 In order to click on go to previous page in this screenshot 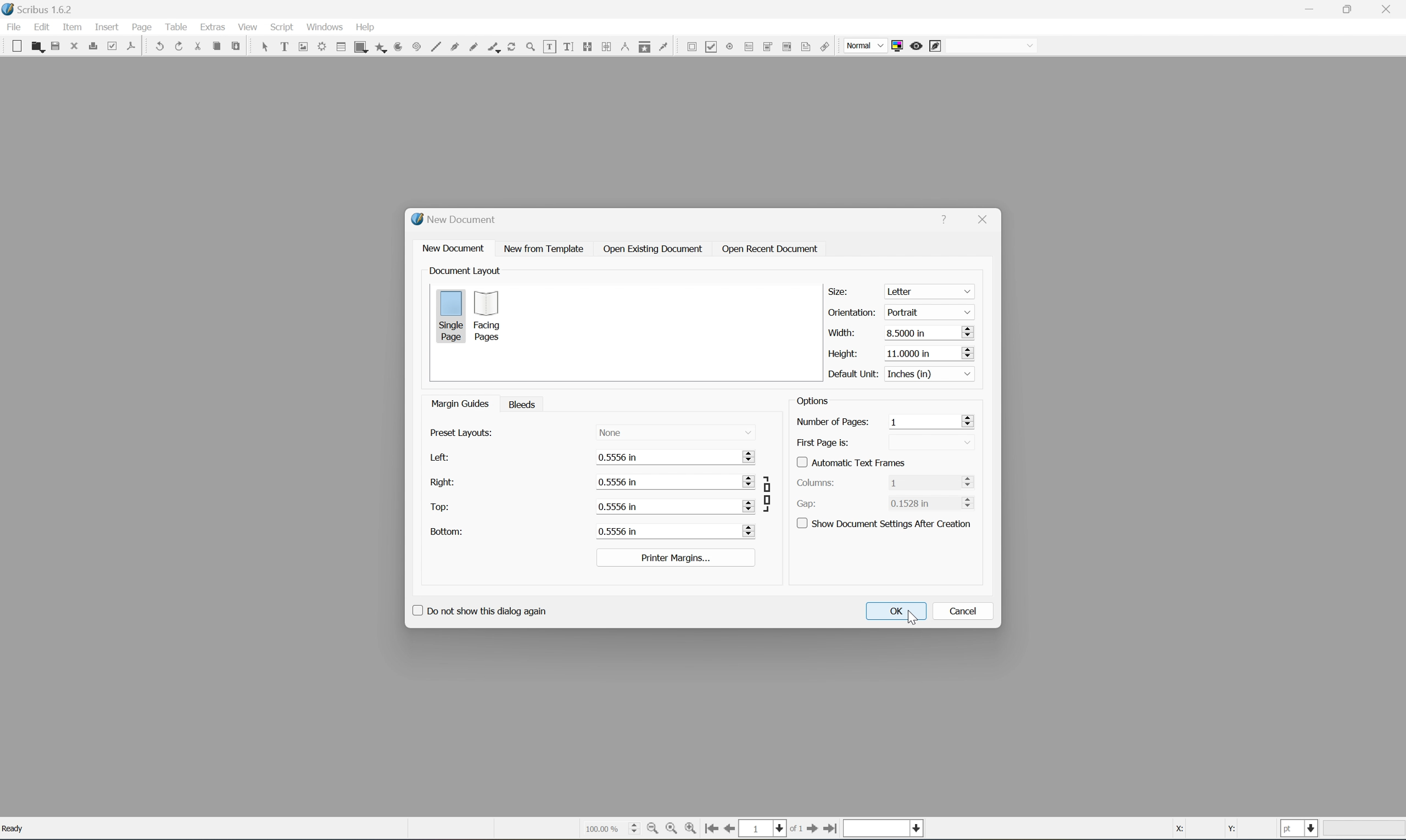, I will do `click(727, 830)`.